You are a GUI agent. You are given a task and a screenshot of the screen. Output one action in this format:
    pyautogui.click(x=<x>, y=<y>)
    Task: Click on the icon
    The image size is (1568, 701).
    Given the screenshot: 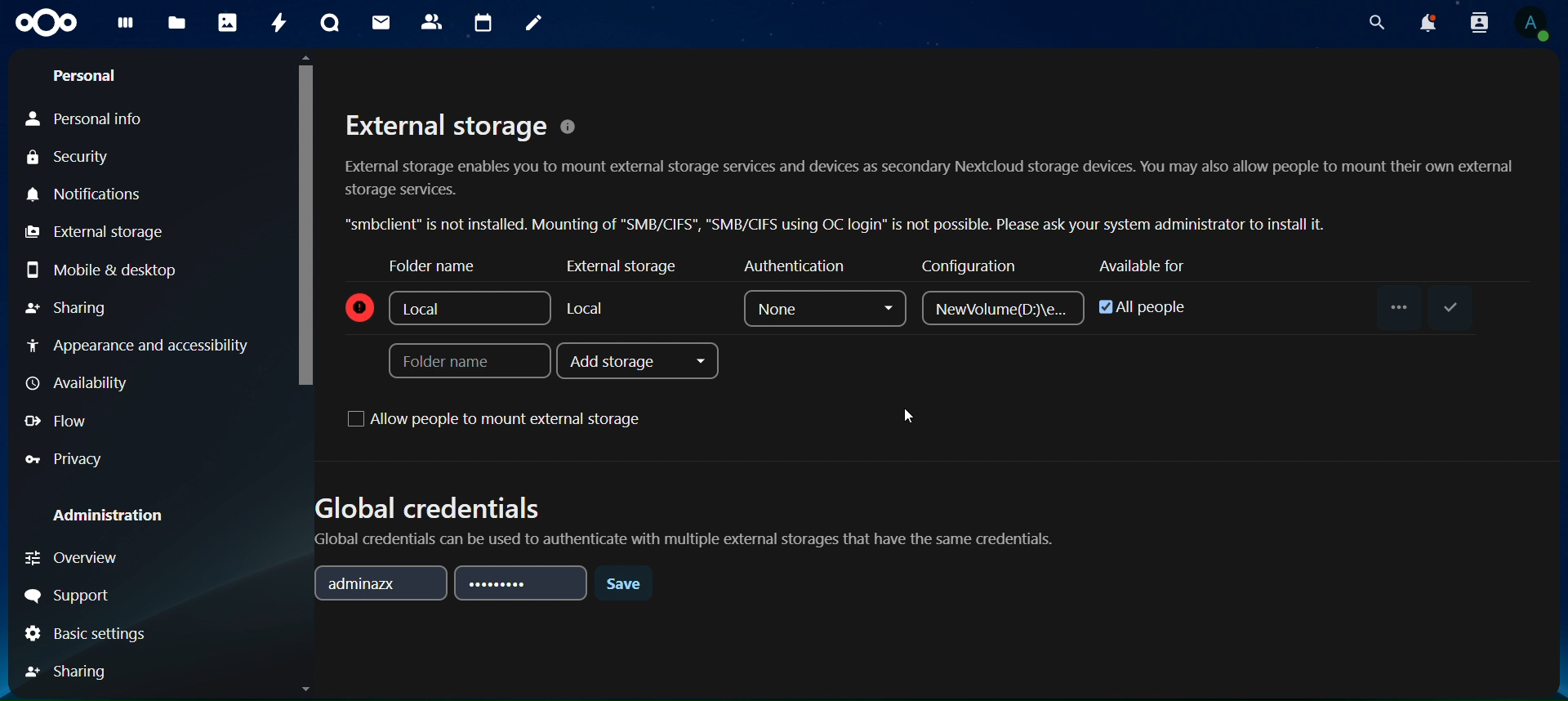 What is the action you would take?
    pyautogui.click(x=46, y=21)
    